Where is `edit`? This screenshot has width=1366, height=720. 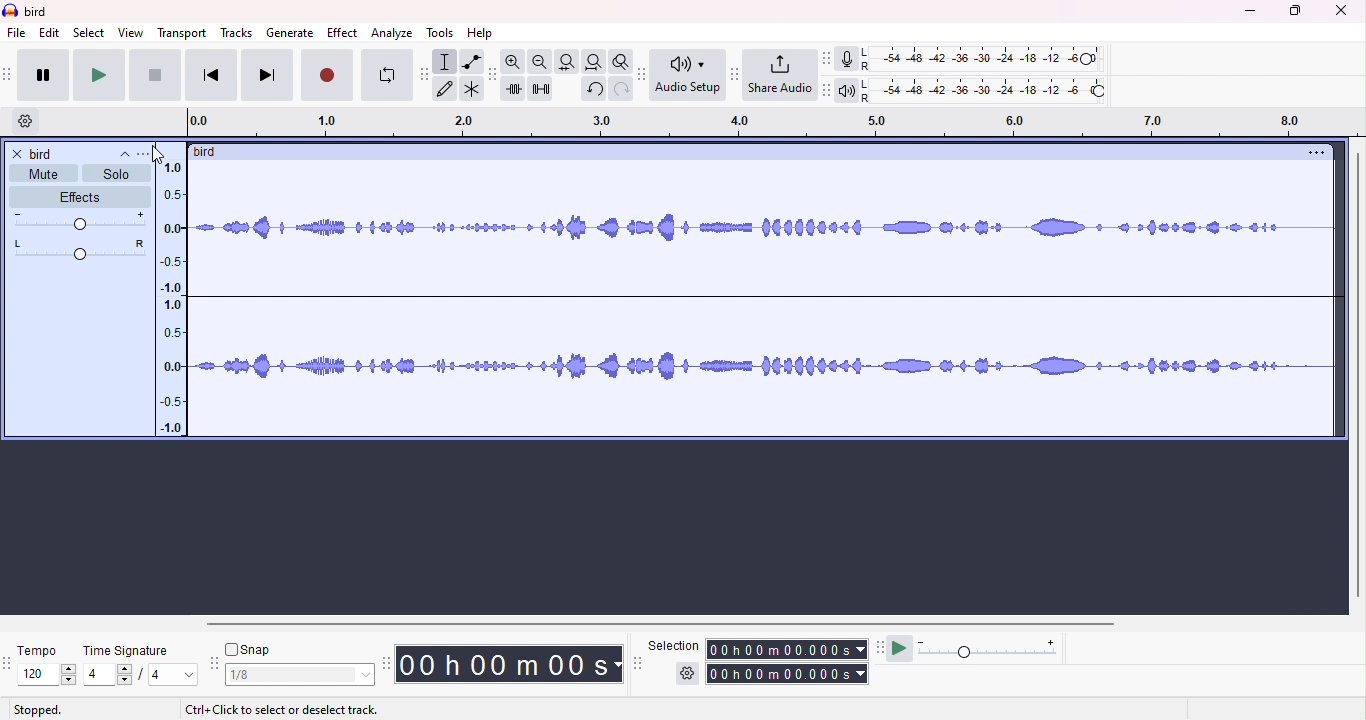 edit is located at coordinates (50, 33).